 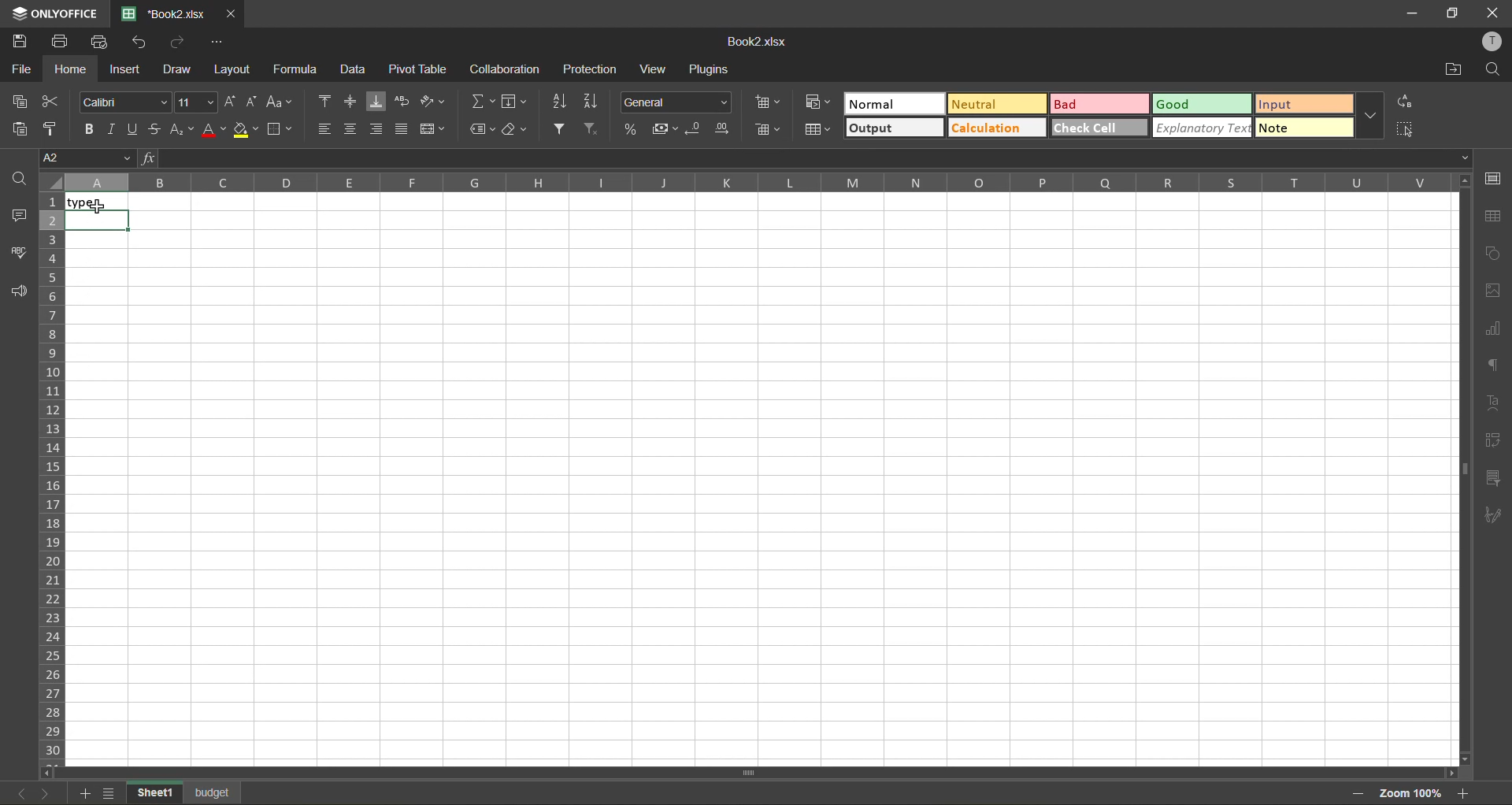 I want to click on copy style, so click(x=56, y=127).